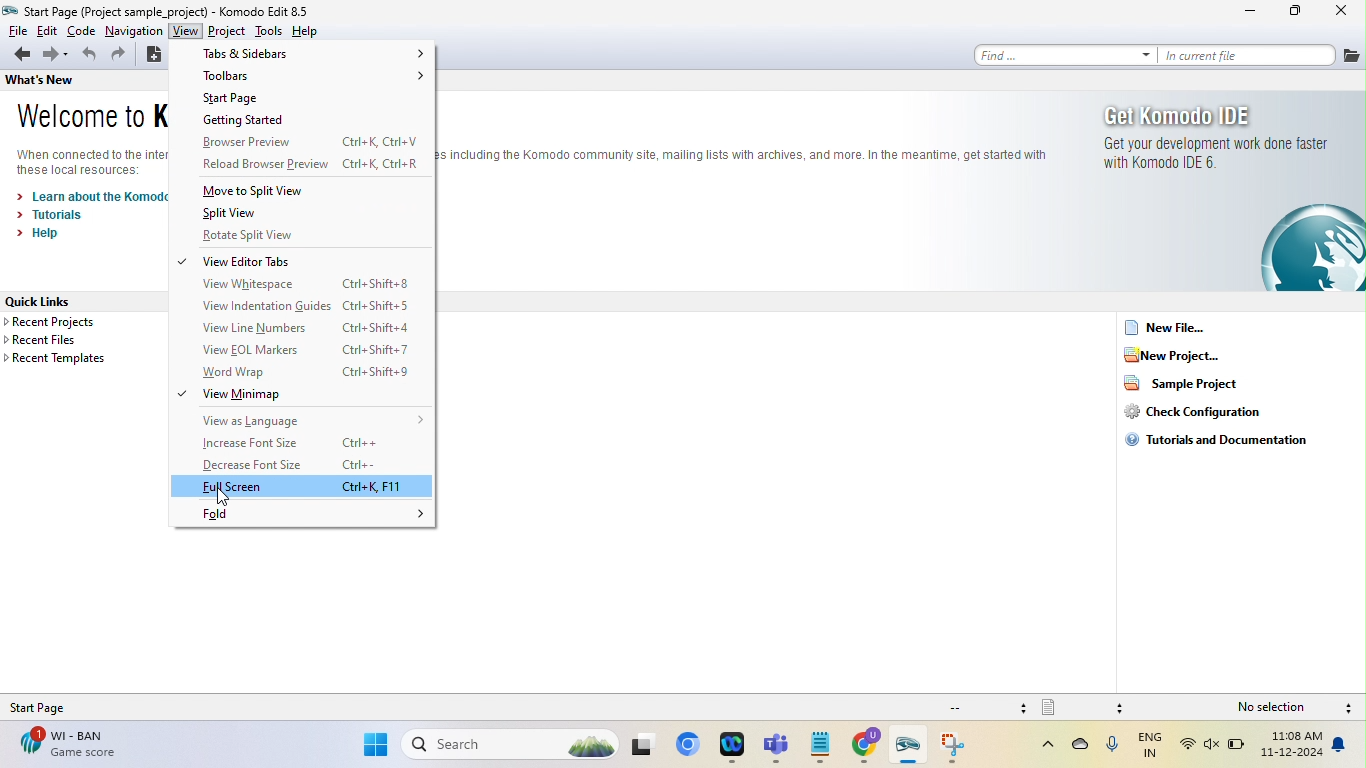 This screenshot has width=1366, height=768. Describe the element at coordinates (1197, 115) in the screenshot. I see `get komodo ide` at that location.